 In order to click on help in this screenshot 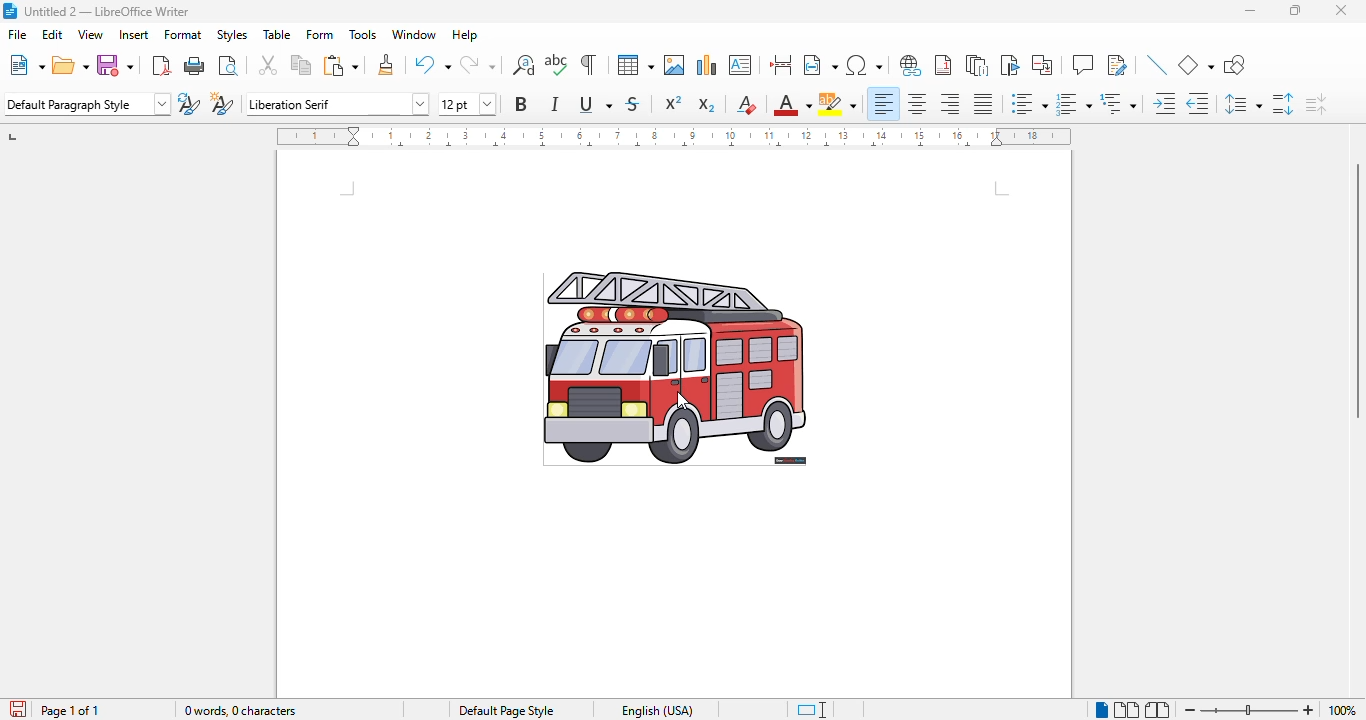, I will do `click(464, 35)`.